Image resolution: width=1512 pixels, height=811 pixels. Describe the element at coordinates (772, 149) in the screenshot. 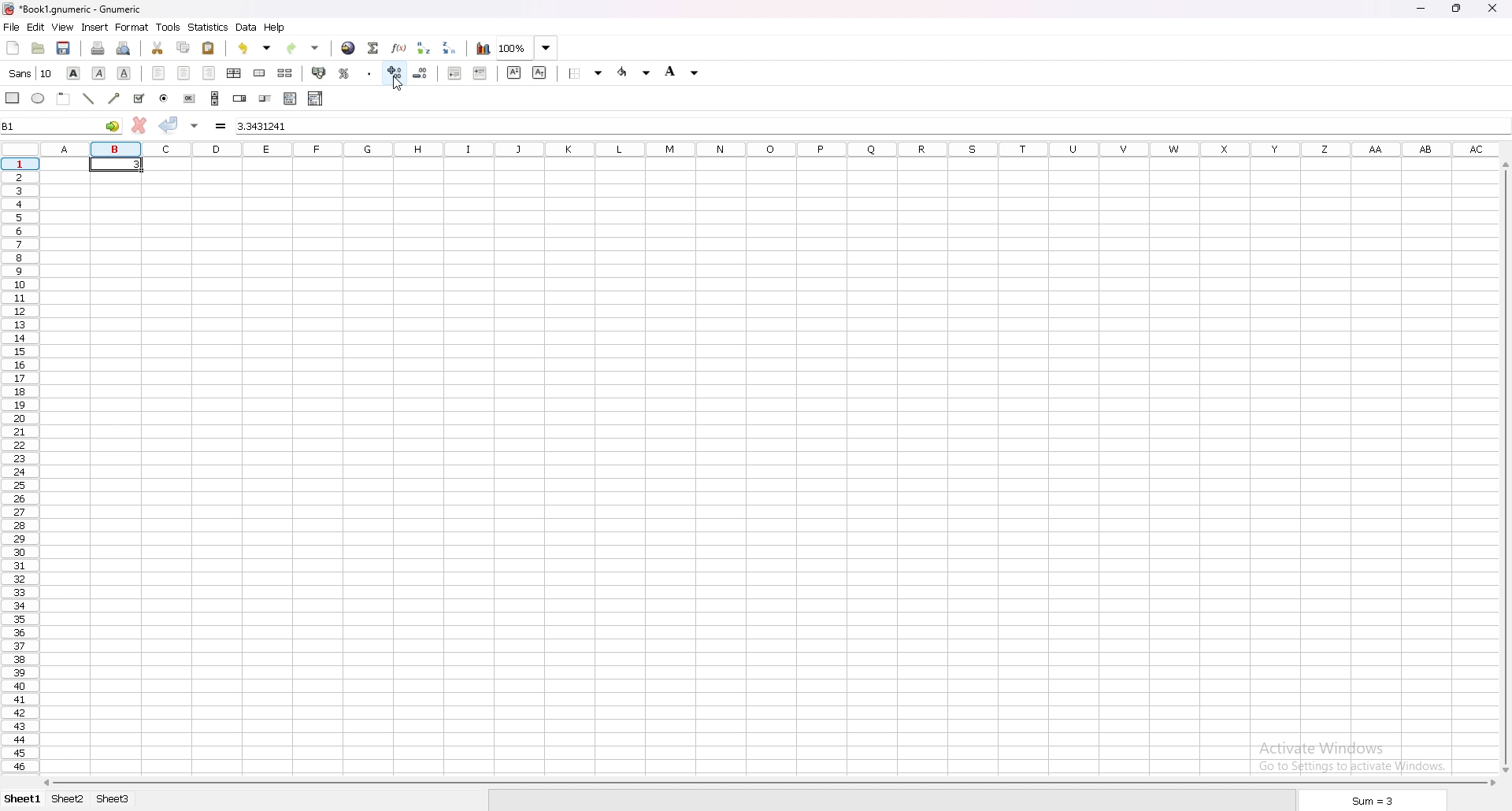

I see `column` at that location.